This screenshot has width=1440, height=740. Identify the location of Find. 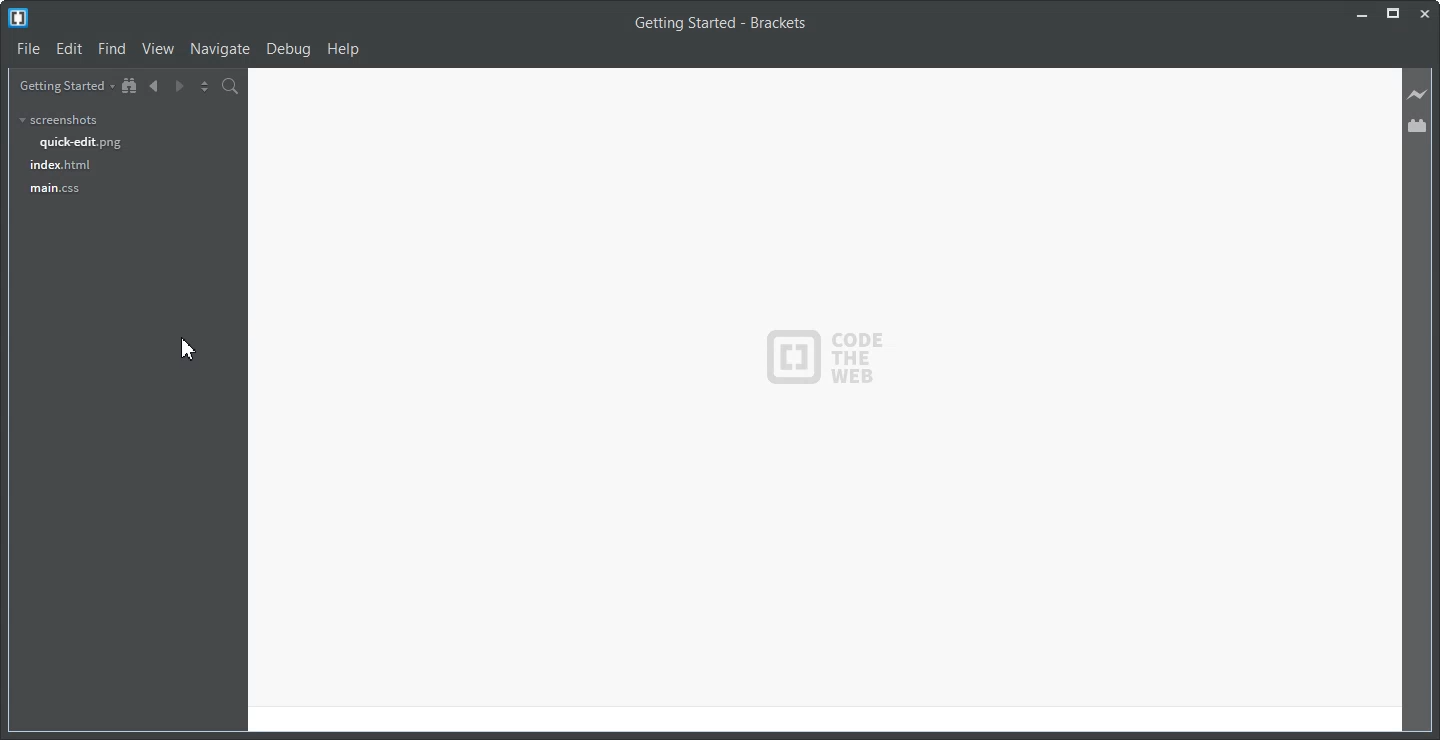
(112, 48).